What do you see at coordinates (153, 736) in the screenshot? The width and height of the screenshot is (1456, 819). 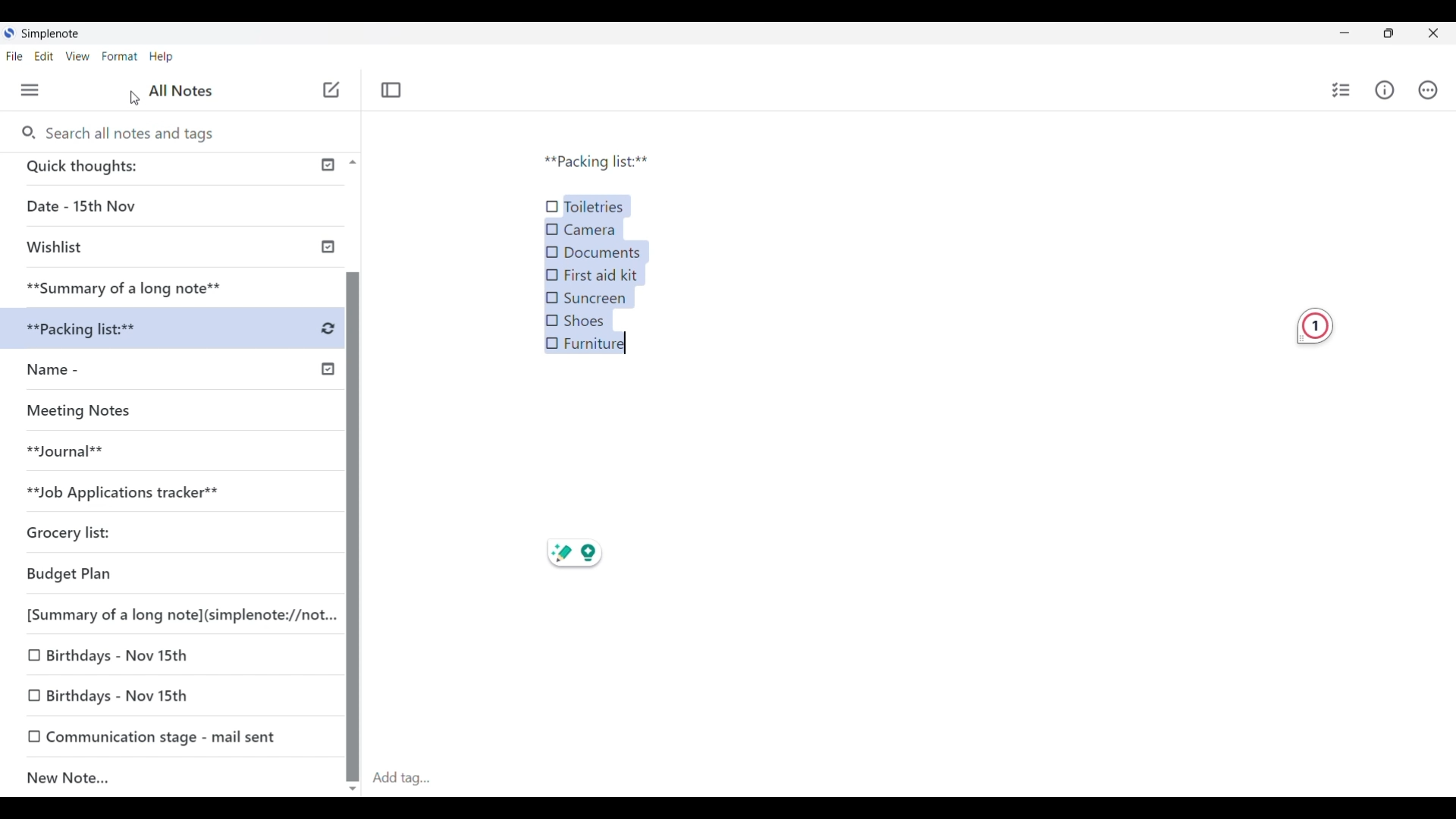 I see `0 Communication stage - mail sent` at bounding box center [153, 736].